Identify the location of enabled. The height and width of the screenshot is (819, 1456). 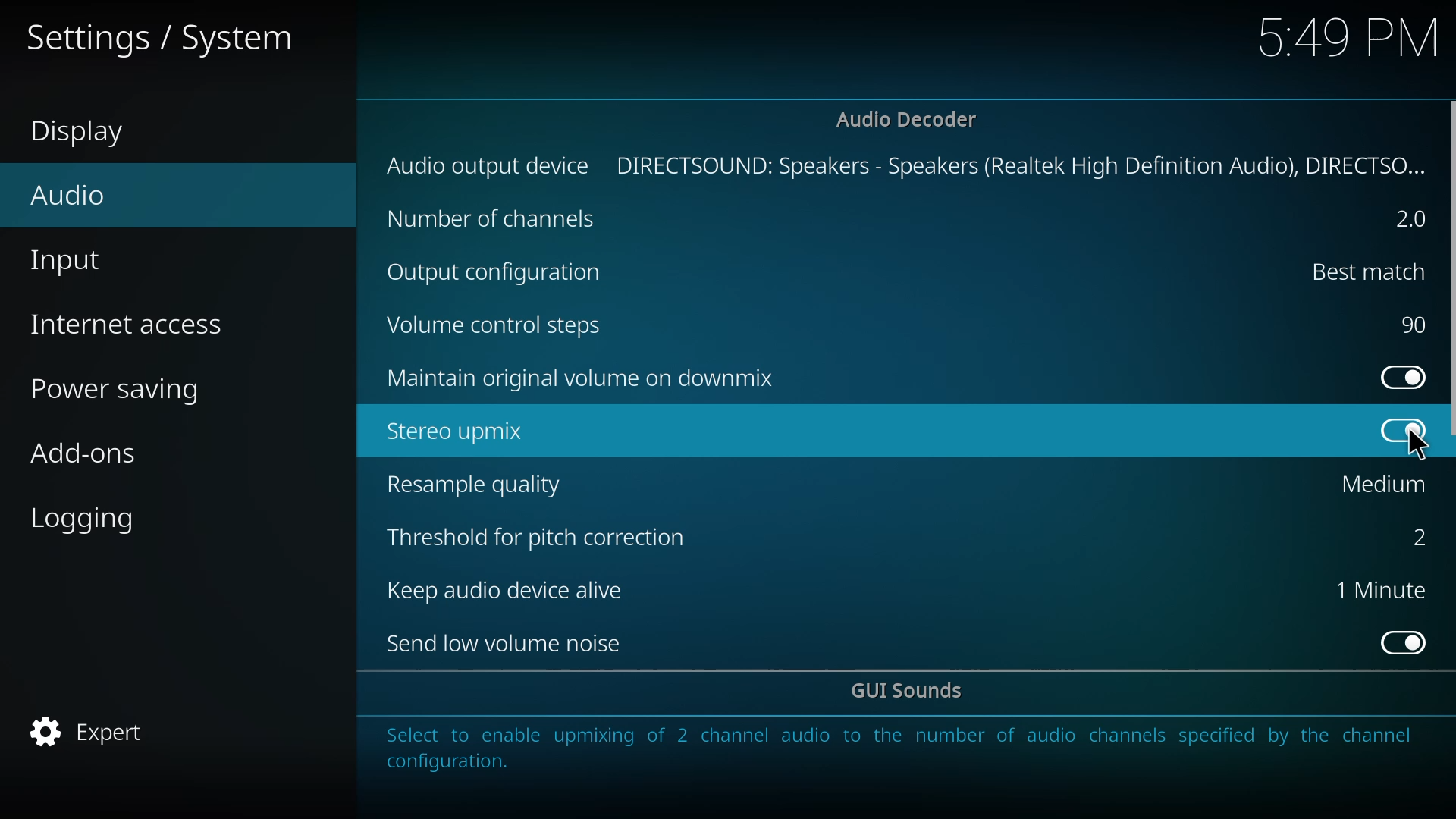
(1402, 378).